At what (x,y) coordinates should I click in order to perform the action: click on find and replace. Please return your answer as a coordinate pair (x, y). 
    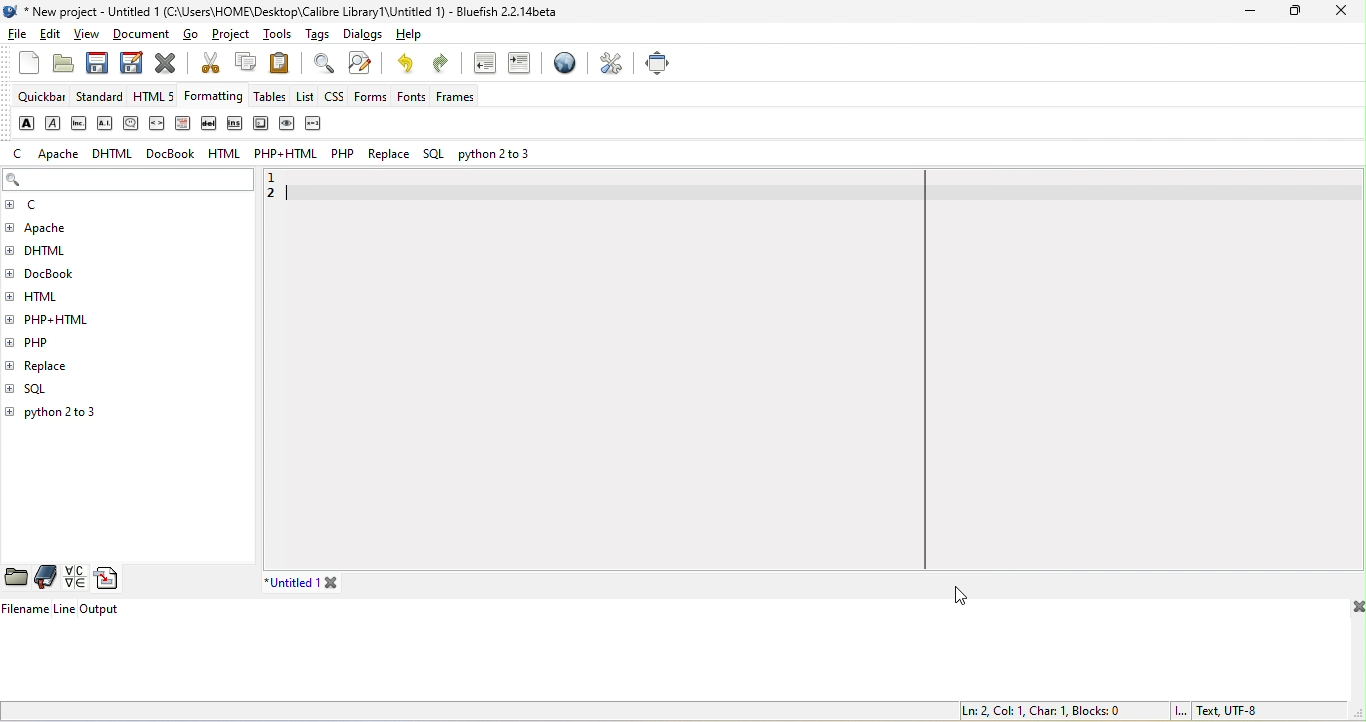
    Looking at the image, I should click on (365, 64).